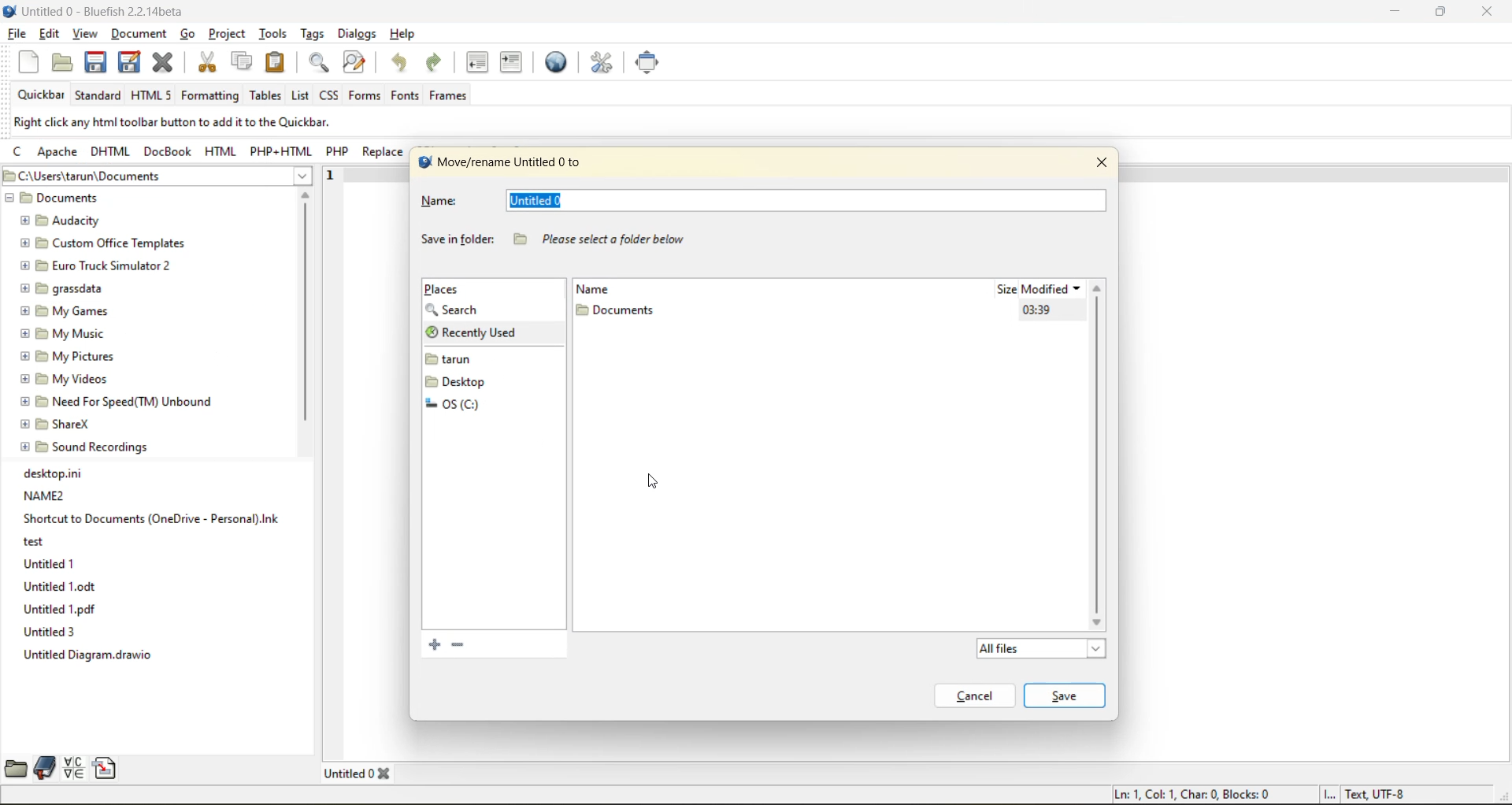 This screenshot has width=1512, height=805. Describe the element at coordinates (57, 472) in the screenshot. I see `desktop.ini` at that location.